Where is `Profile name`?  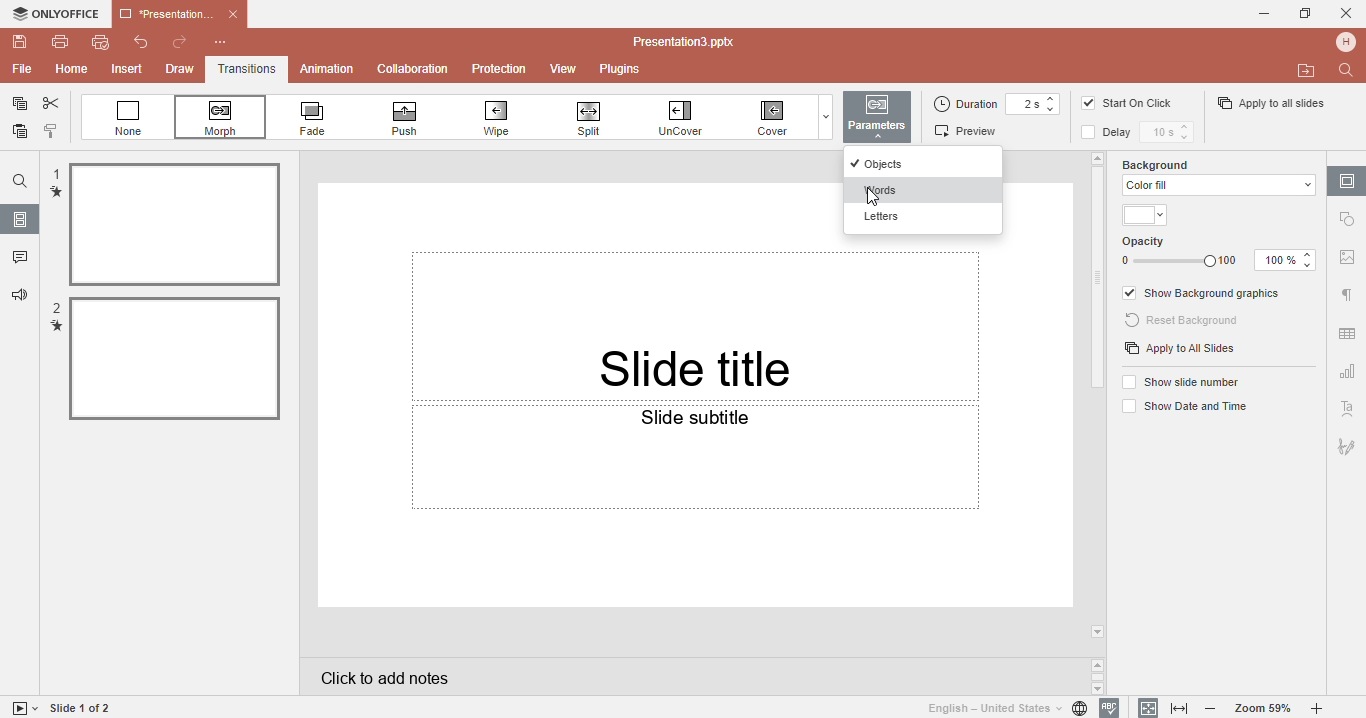 Profile name is located at coordinates (1348, 41).